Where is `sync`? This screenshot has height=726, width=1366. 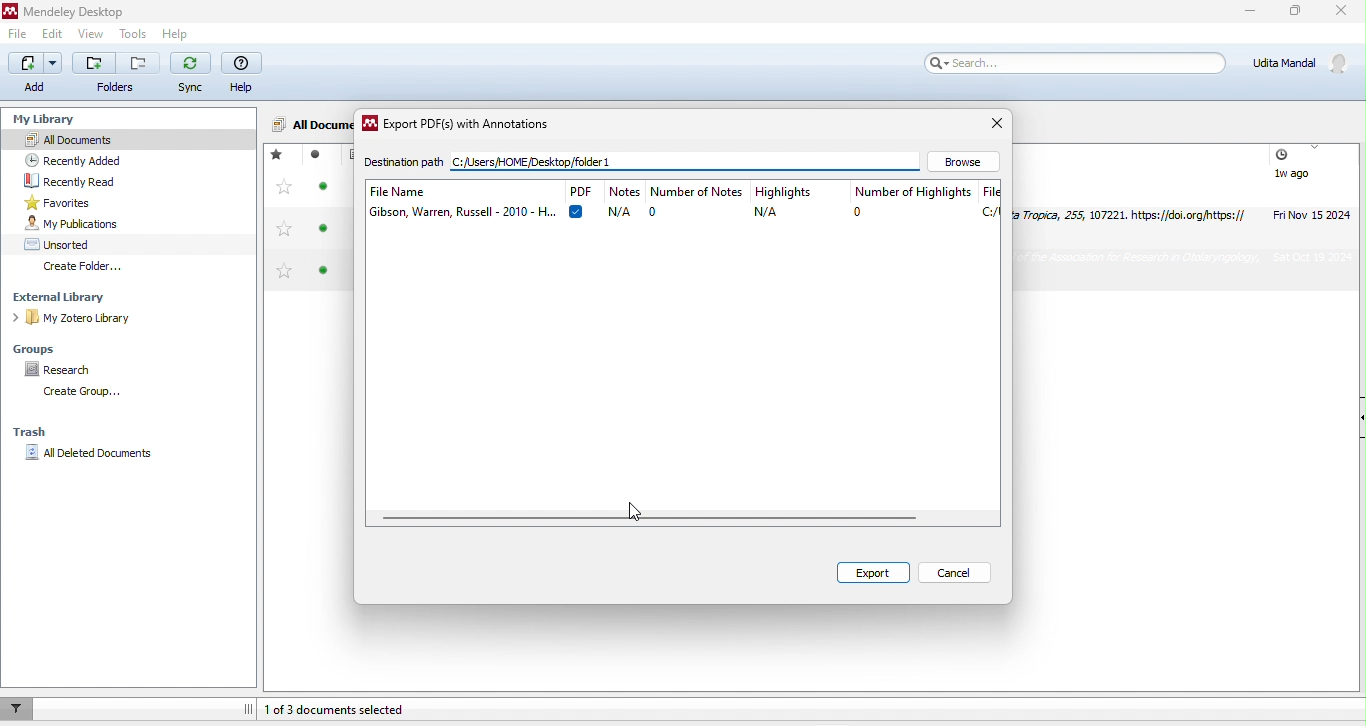 sync is located at coordinates (192, 76).